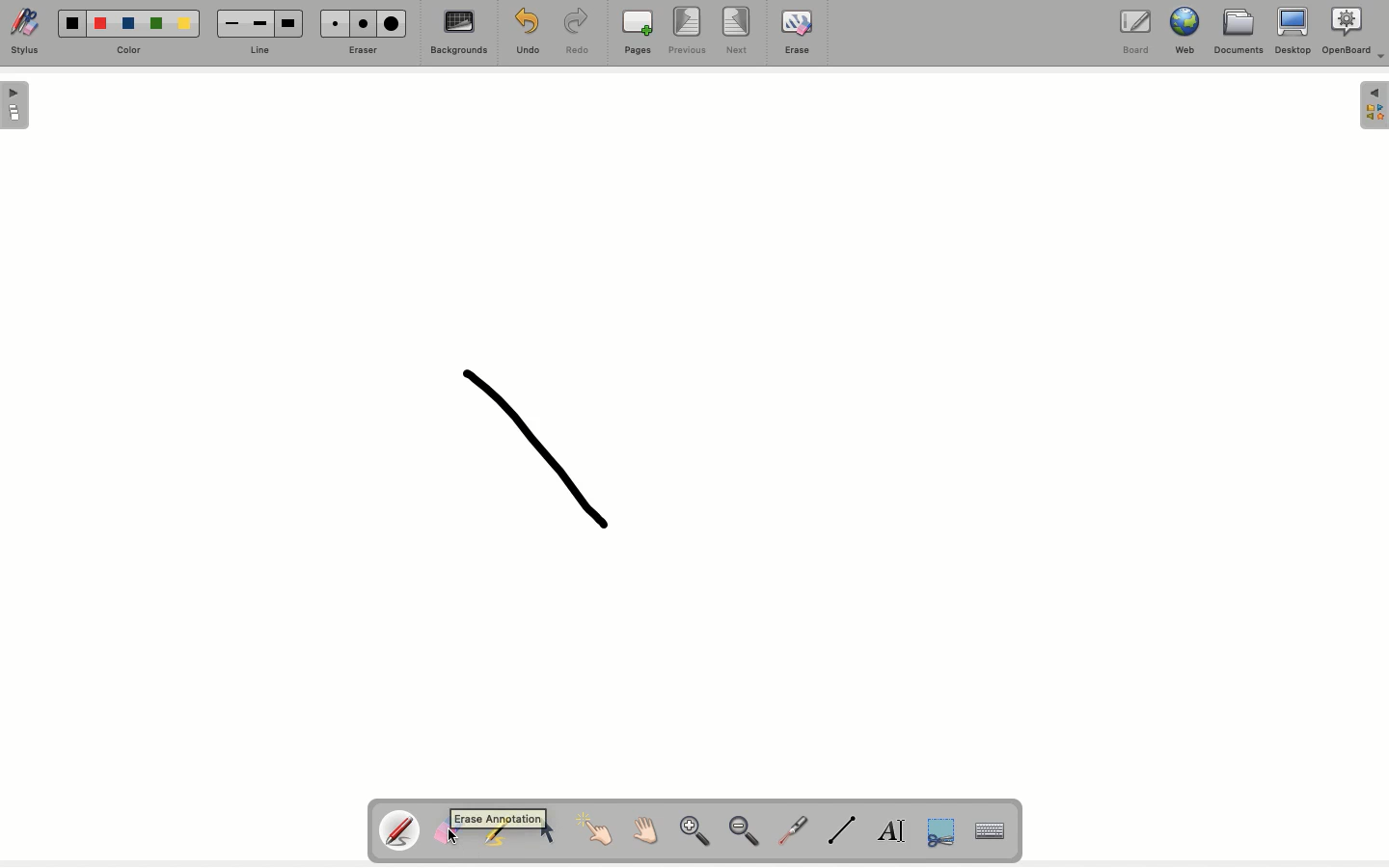  Describe the element at coordinates (135, 46) in the screenshot. I see `Color` at that location.